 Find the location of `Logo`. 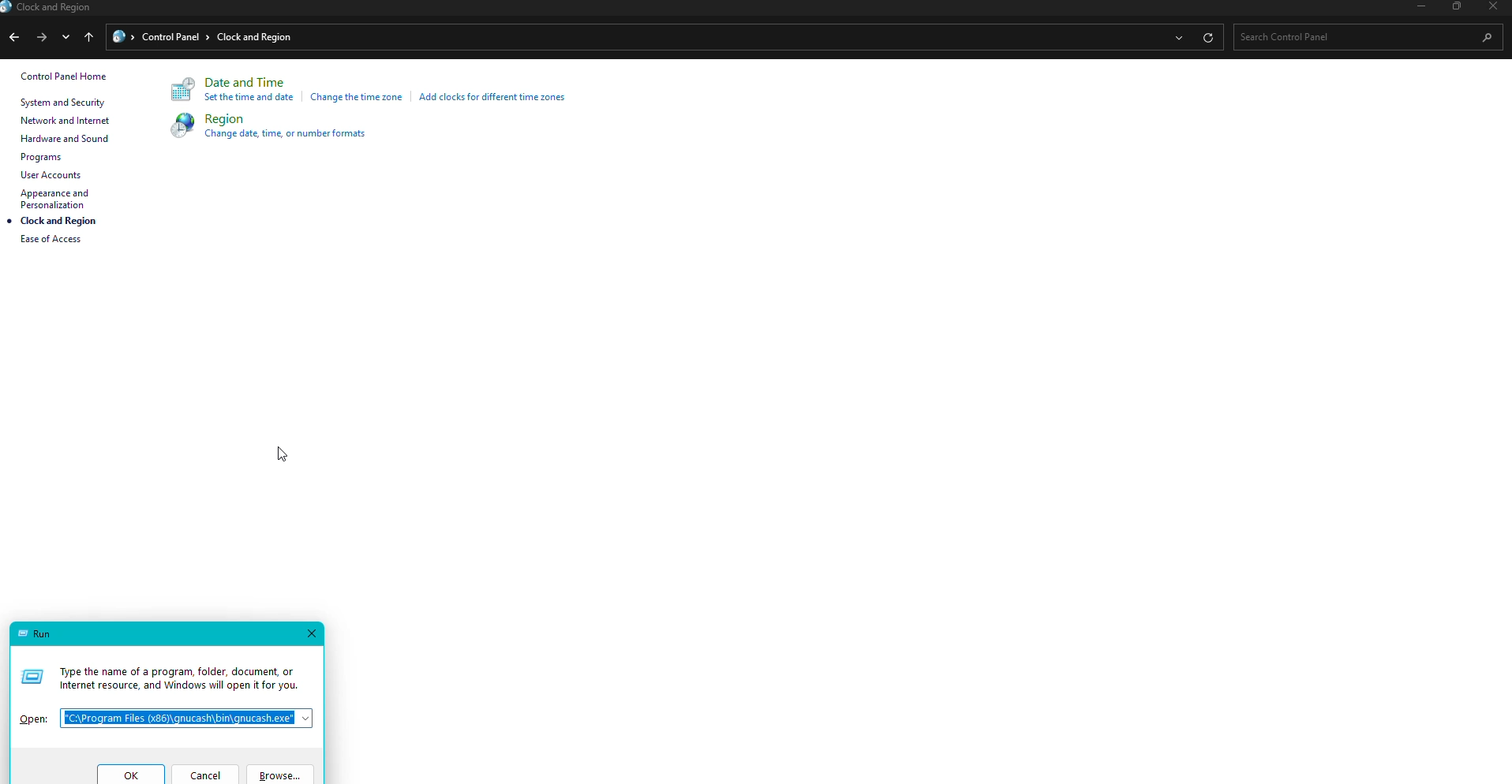

Logo is located at coordinates (182, 91).